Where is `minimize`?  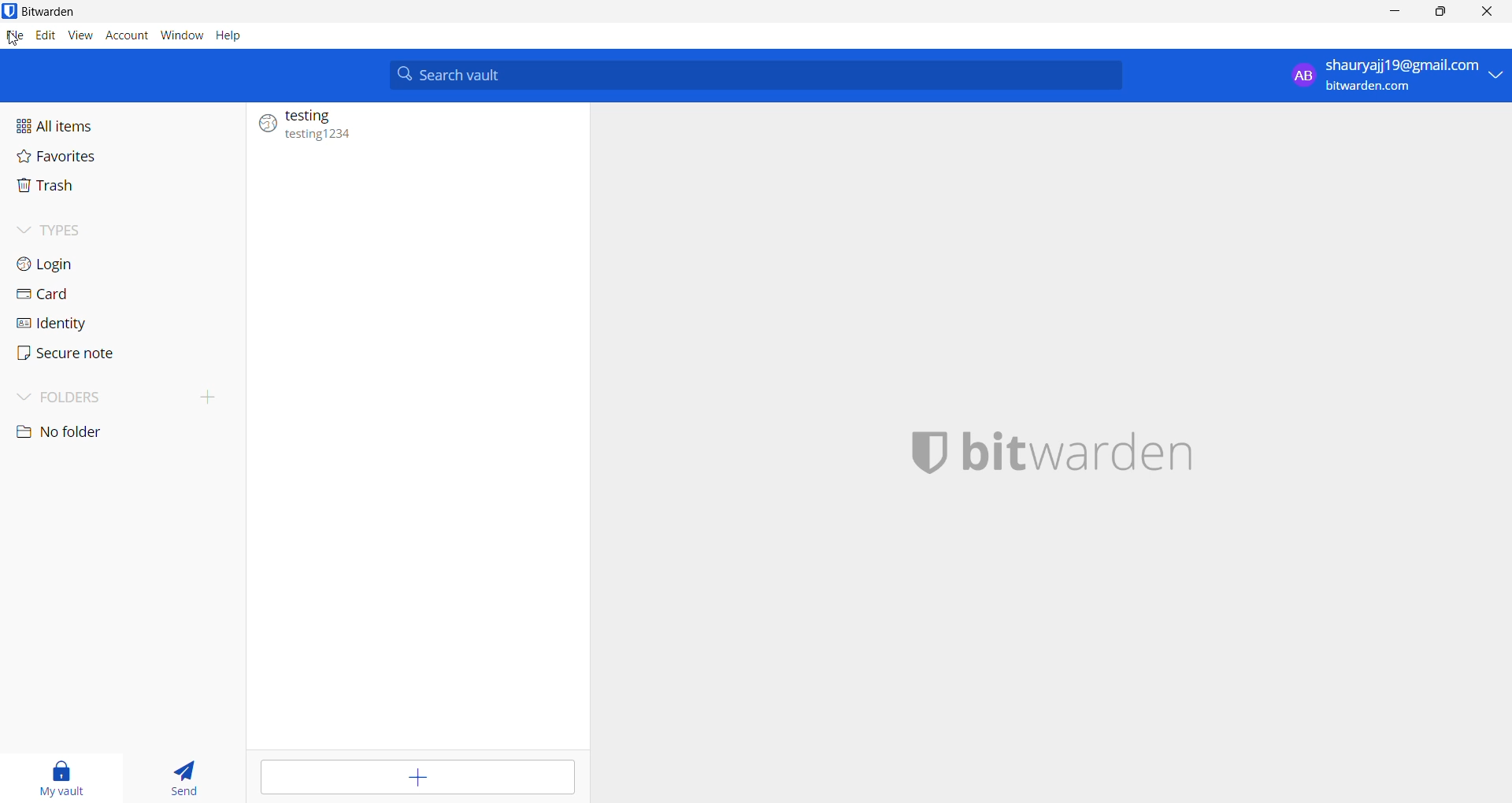
minimize is located at coordinates (1392, 14).